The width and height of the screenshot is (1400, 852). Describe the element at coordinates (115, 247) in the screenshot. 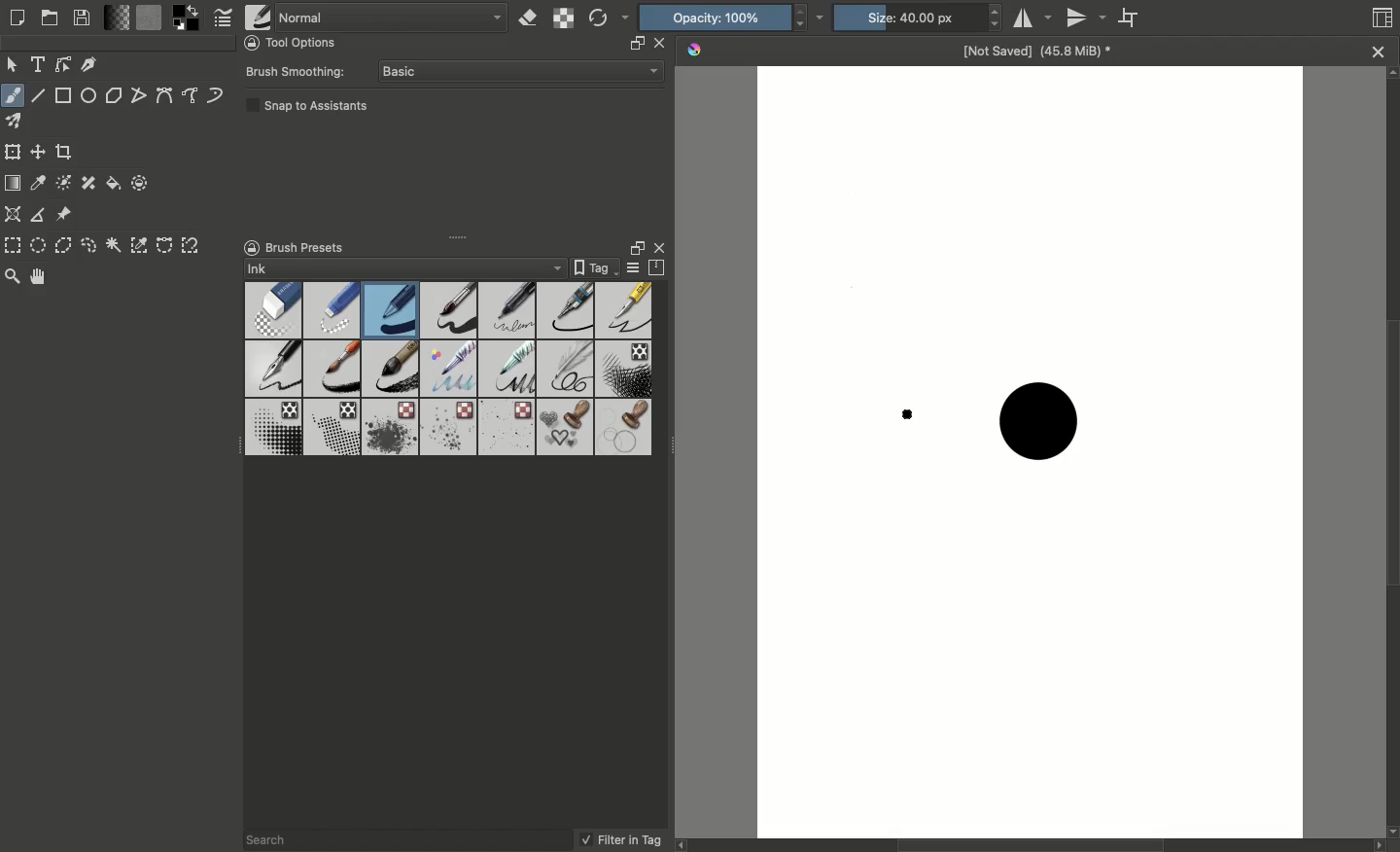

I see `Contiguous selection tool` at that location.